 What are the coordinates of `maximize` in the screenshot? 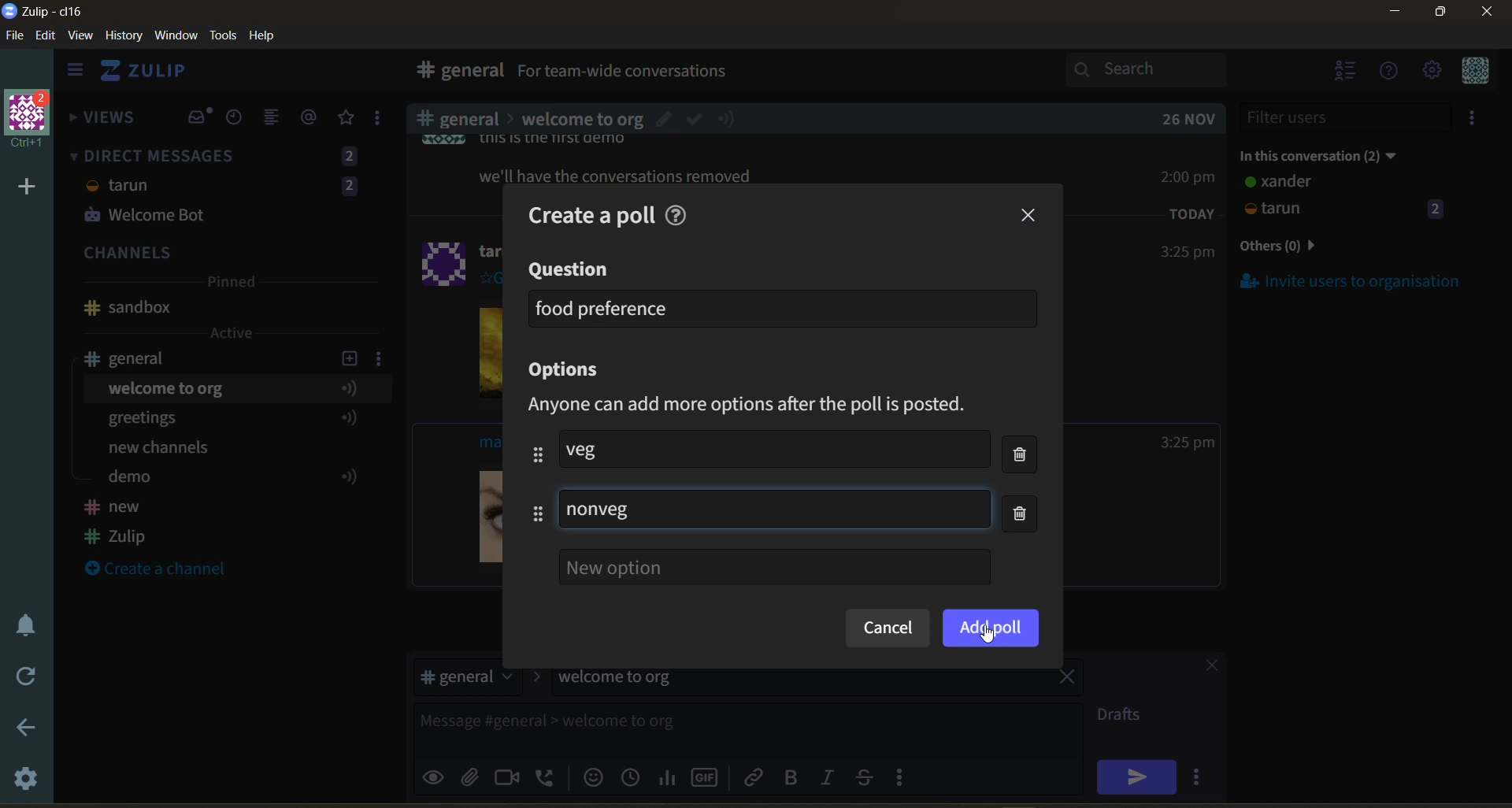 It's located at (1437, 17).